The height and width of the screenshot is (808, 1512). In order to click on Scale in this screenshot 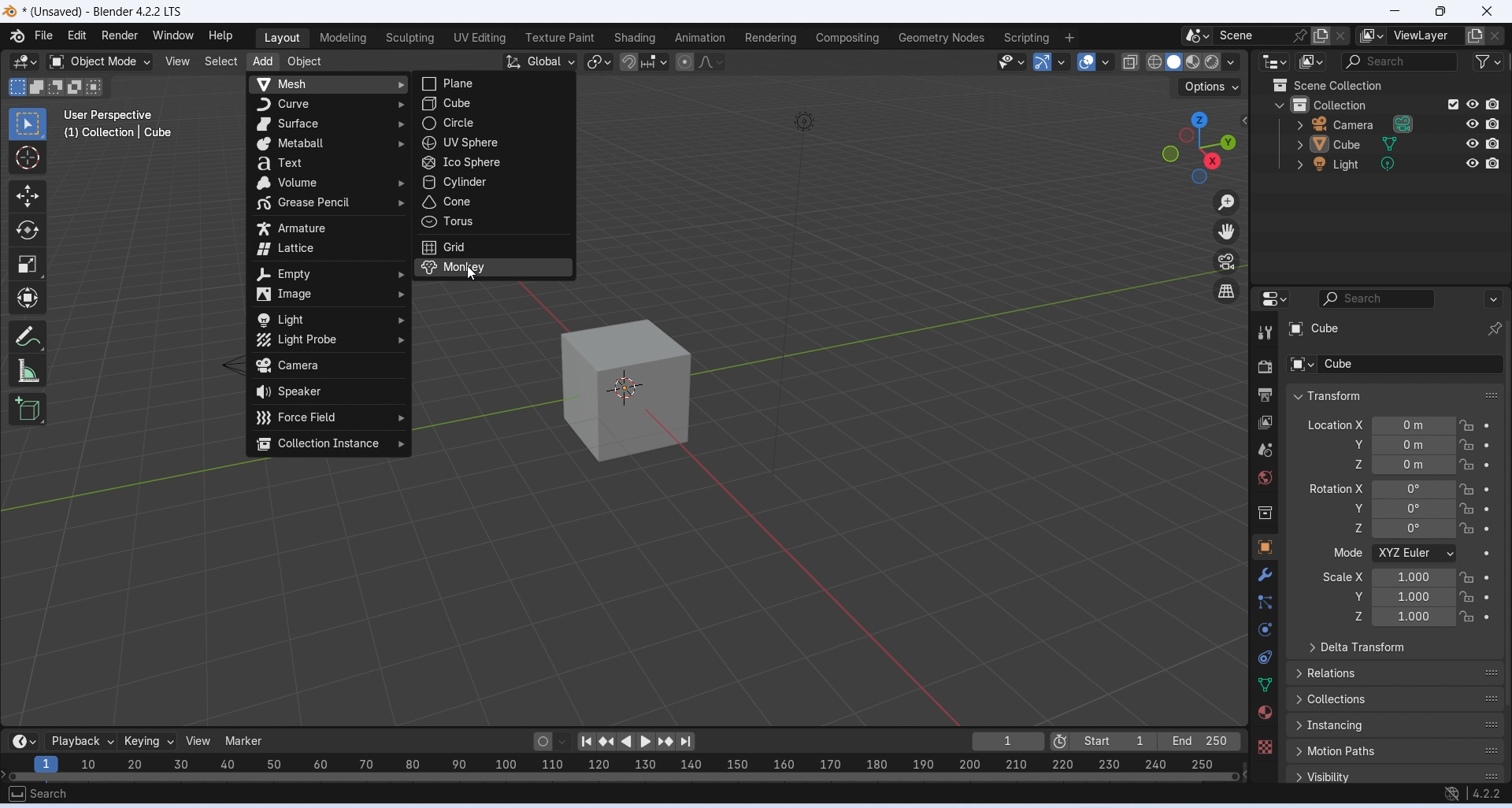, I will do `click(27, 265)`.